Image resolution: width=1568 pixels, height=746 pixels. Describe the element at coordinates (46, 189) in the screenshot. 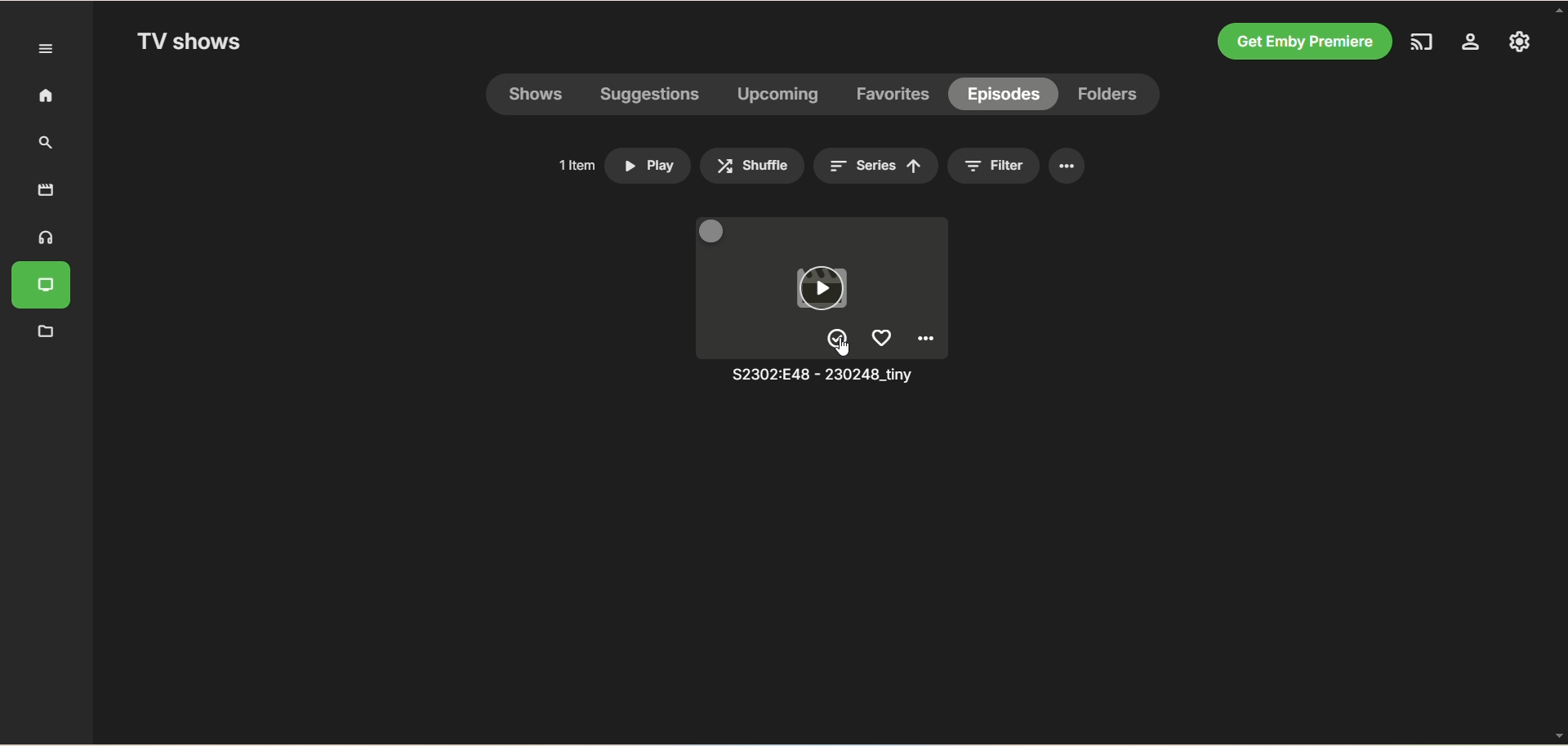

I see `movies` at that location.